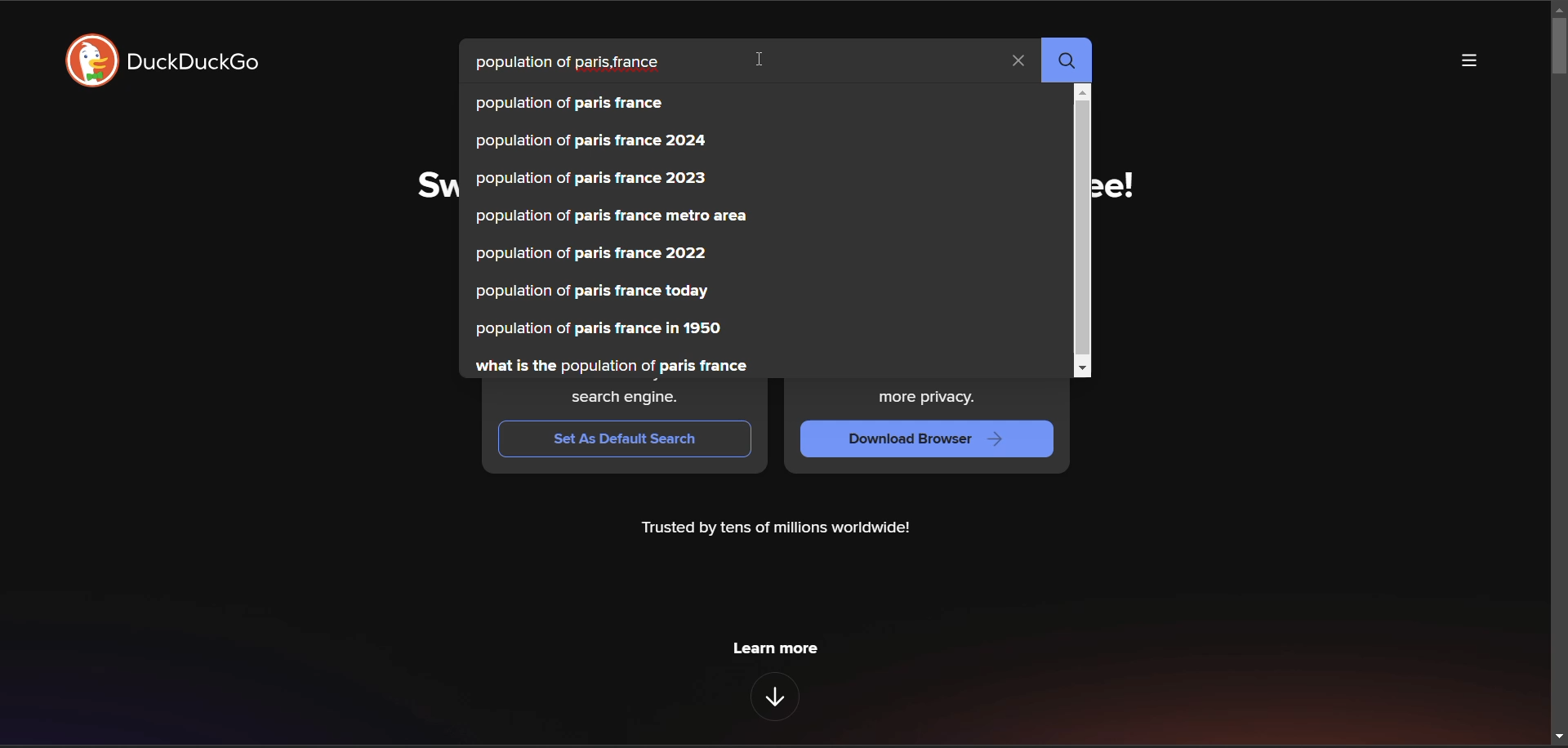 The width and height of the screenshot is (1568, 748). Describe the element at coordinates (775, 650) in the screenshot. I see `learn more` at that location.